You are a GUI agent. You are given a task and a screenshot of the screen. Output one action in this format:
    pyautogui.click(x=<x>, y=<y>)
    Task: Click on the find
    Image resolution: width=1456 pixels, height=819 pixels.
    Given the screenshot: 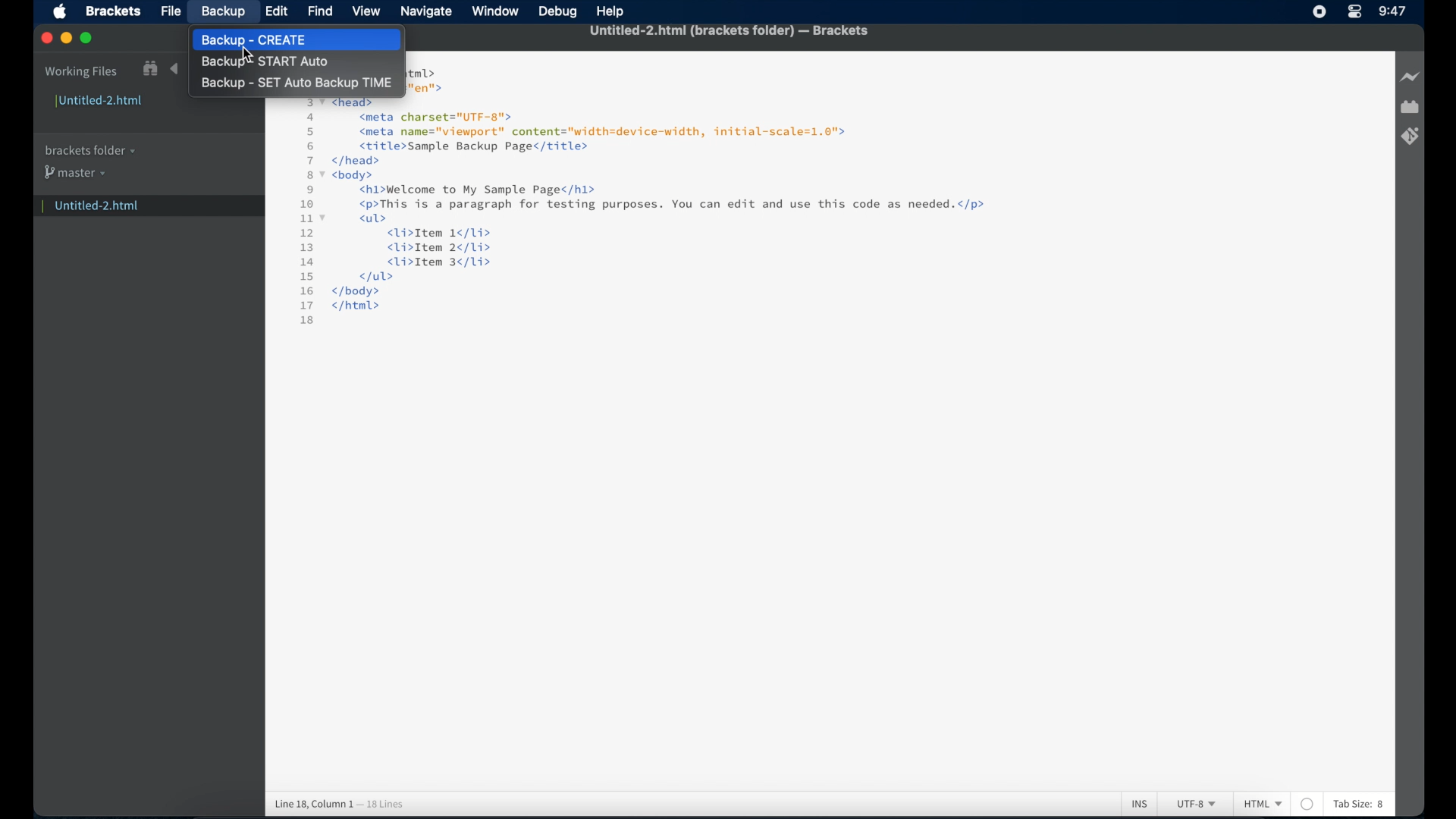 What is the action you would take?
    pyautogui.click(x=321, y=12)
    